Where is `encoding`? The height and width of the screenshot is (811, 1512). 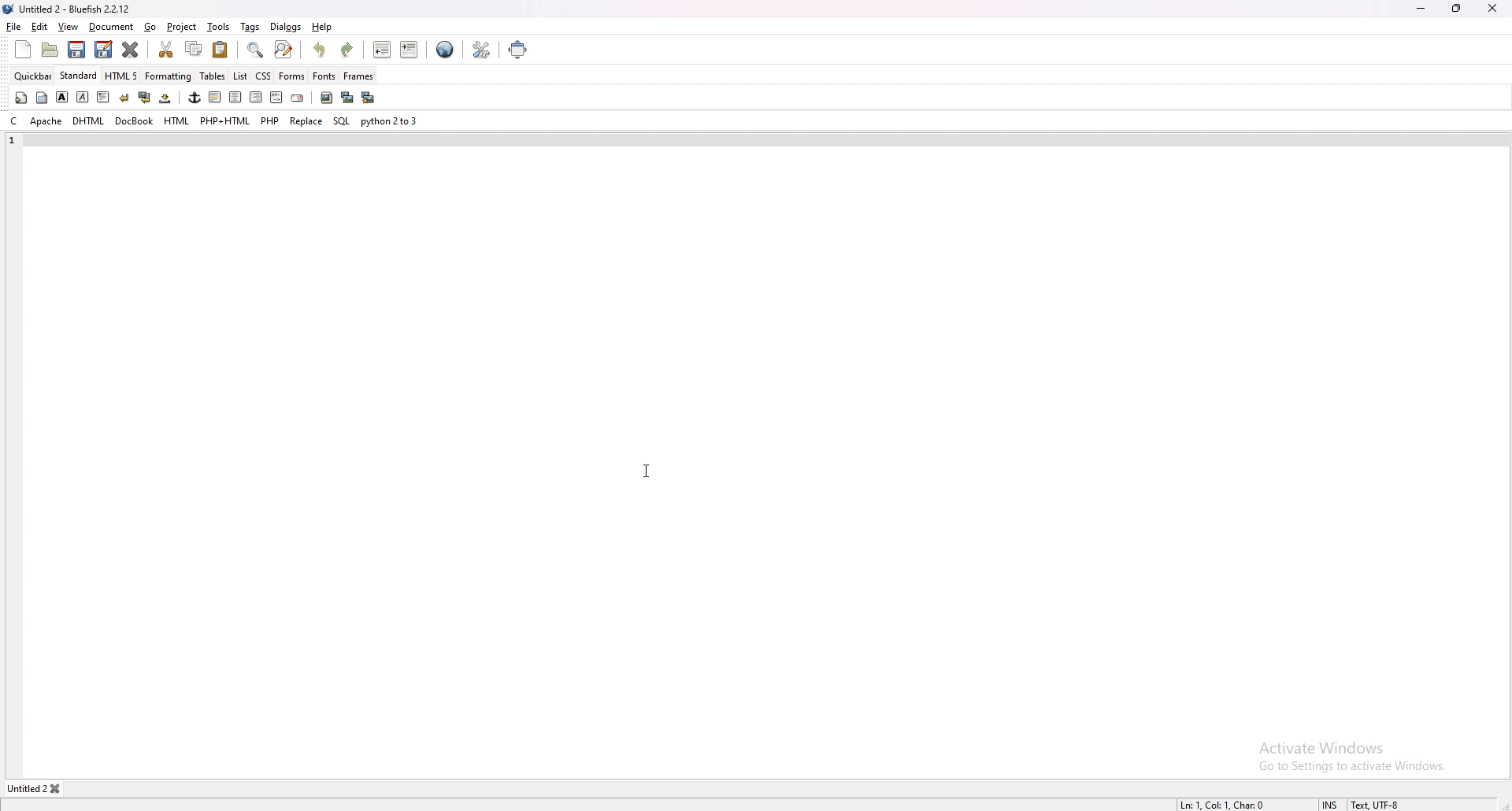
encoding is located at coordinates (1384, 802).